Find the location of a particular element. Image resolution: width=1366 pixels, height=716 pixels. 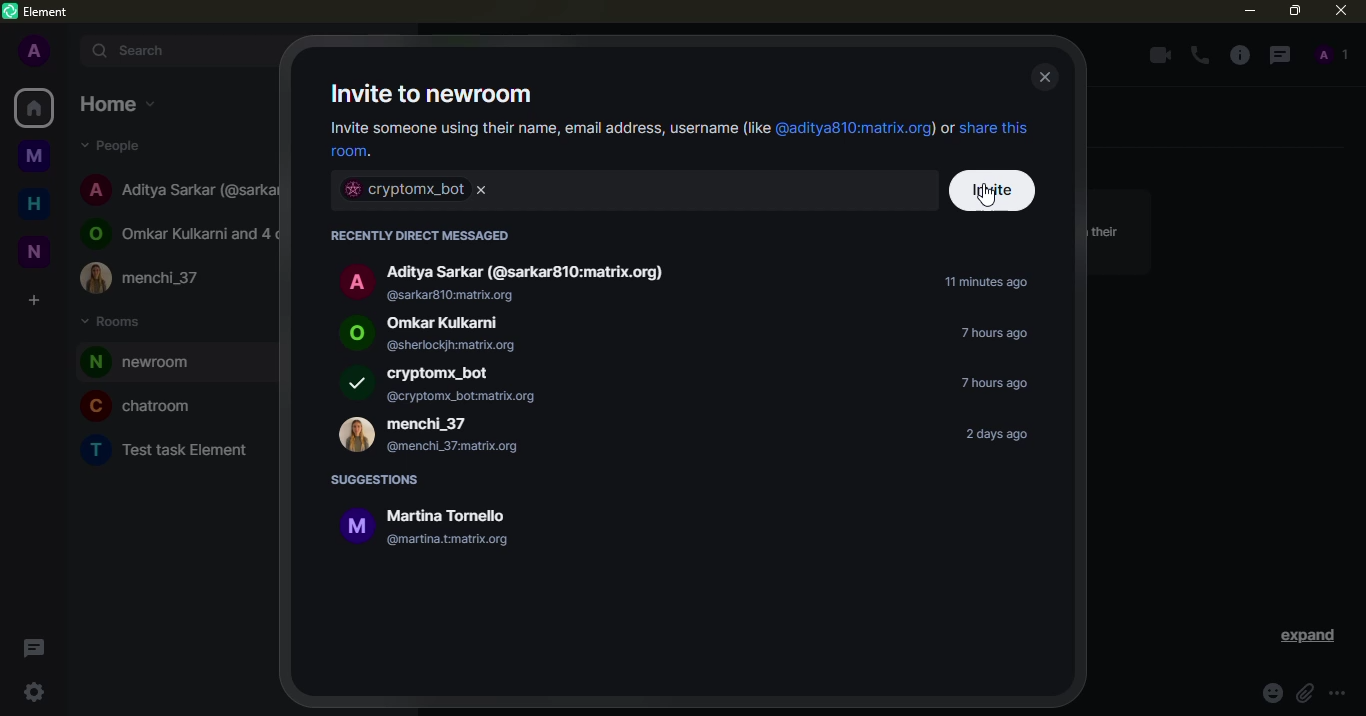

time is located at coordinates (996, 281).